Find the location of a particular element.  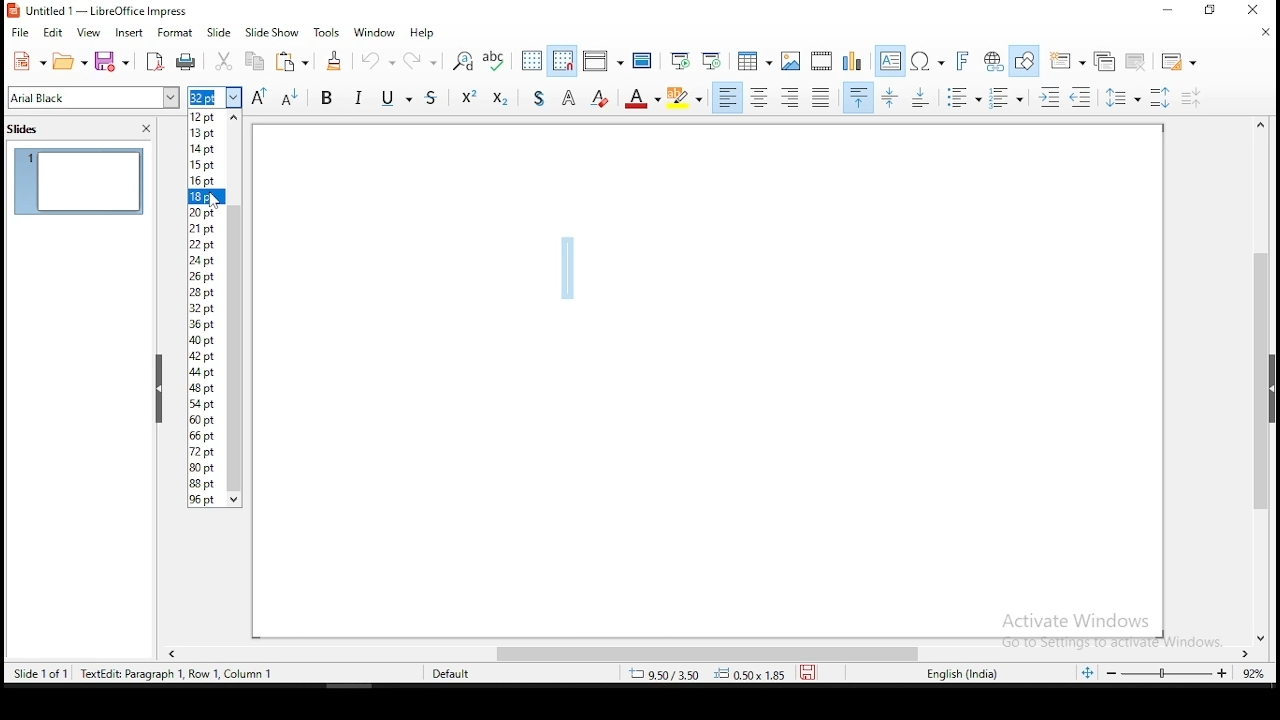

slides is located at coordinates (26, 131).